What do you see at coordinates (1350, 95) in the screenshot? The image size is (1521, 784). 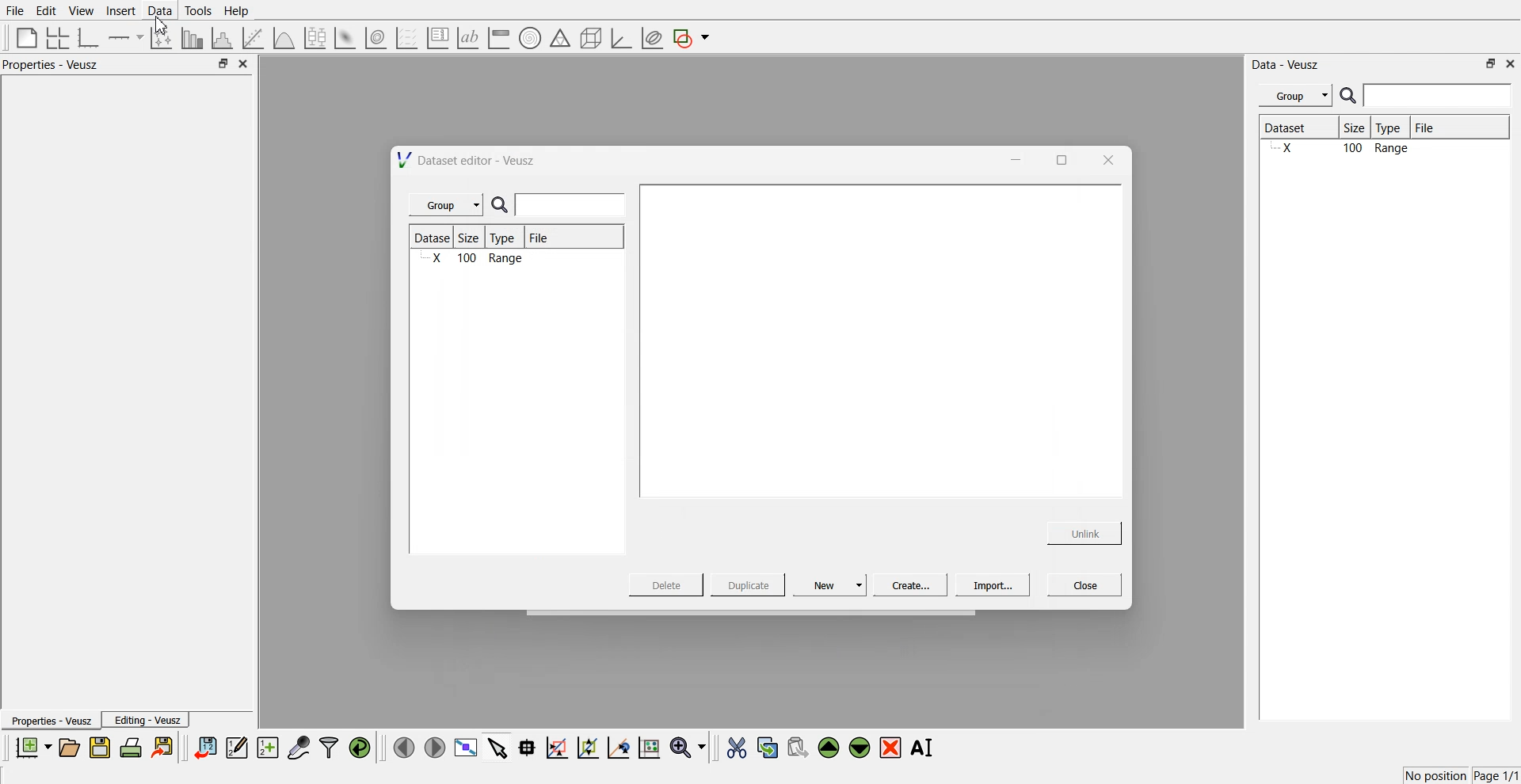 I see `search icon` at bounding box center [1350, 95].